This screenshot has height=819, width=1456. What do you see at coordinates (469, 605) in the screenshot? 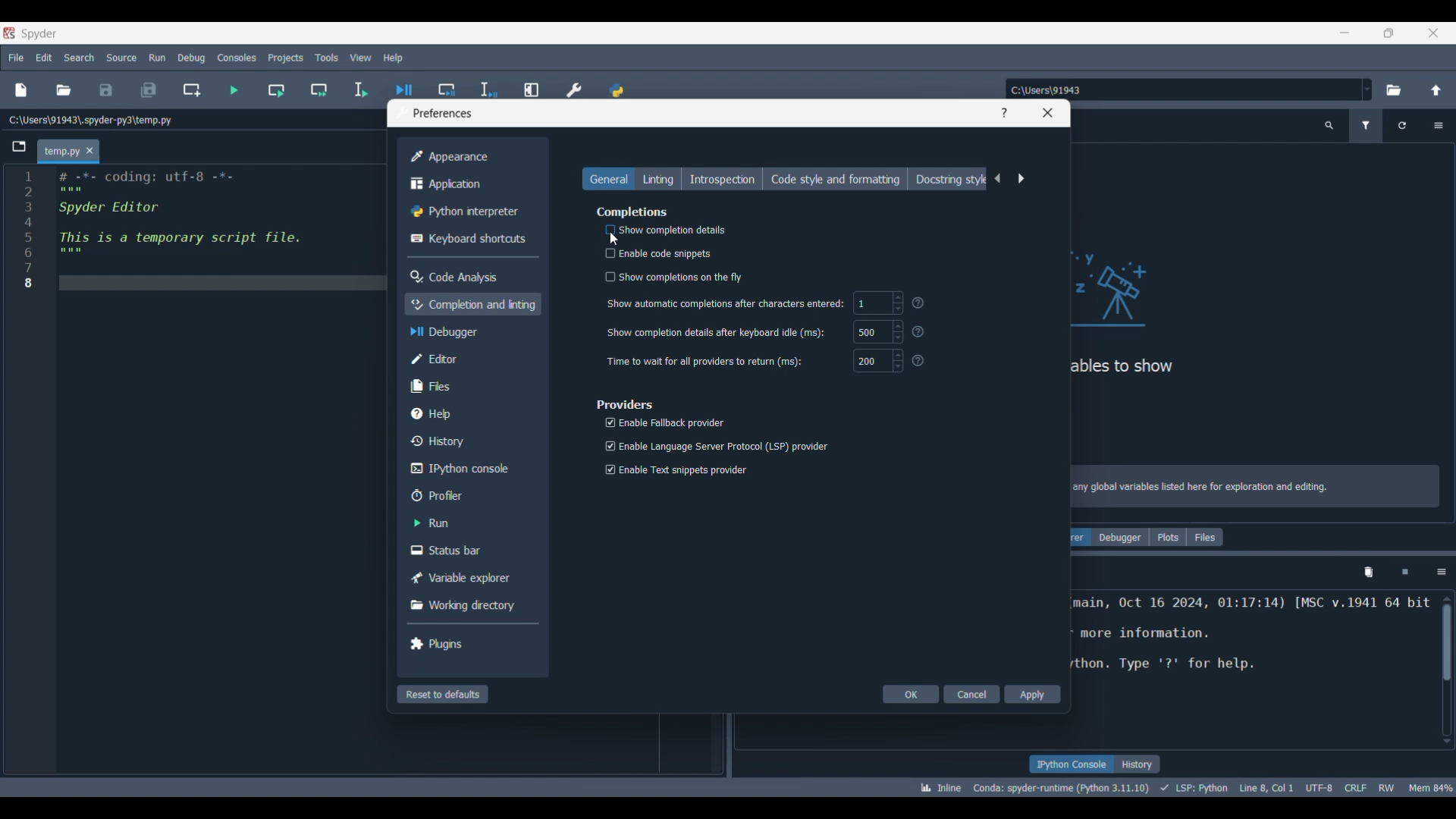
I see `Working directory` at bounding box center [469, 605].